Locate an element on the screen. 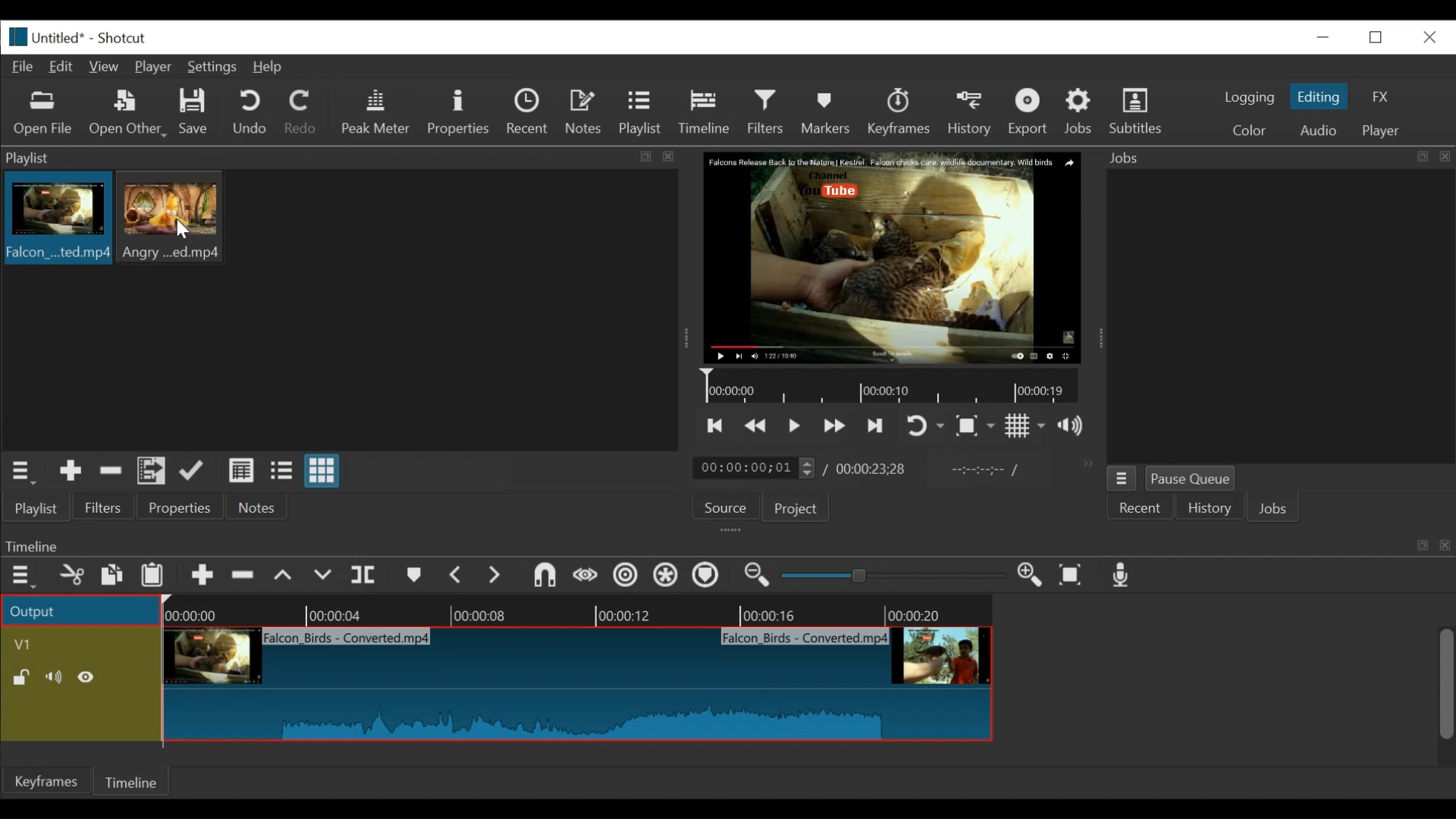 The height and width of the screenshot is (819, 1456). File name is located at coordinates (61, 39).